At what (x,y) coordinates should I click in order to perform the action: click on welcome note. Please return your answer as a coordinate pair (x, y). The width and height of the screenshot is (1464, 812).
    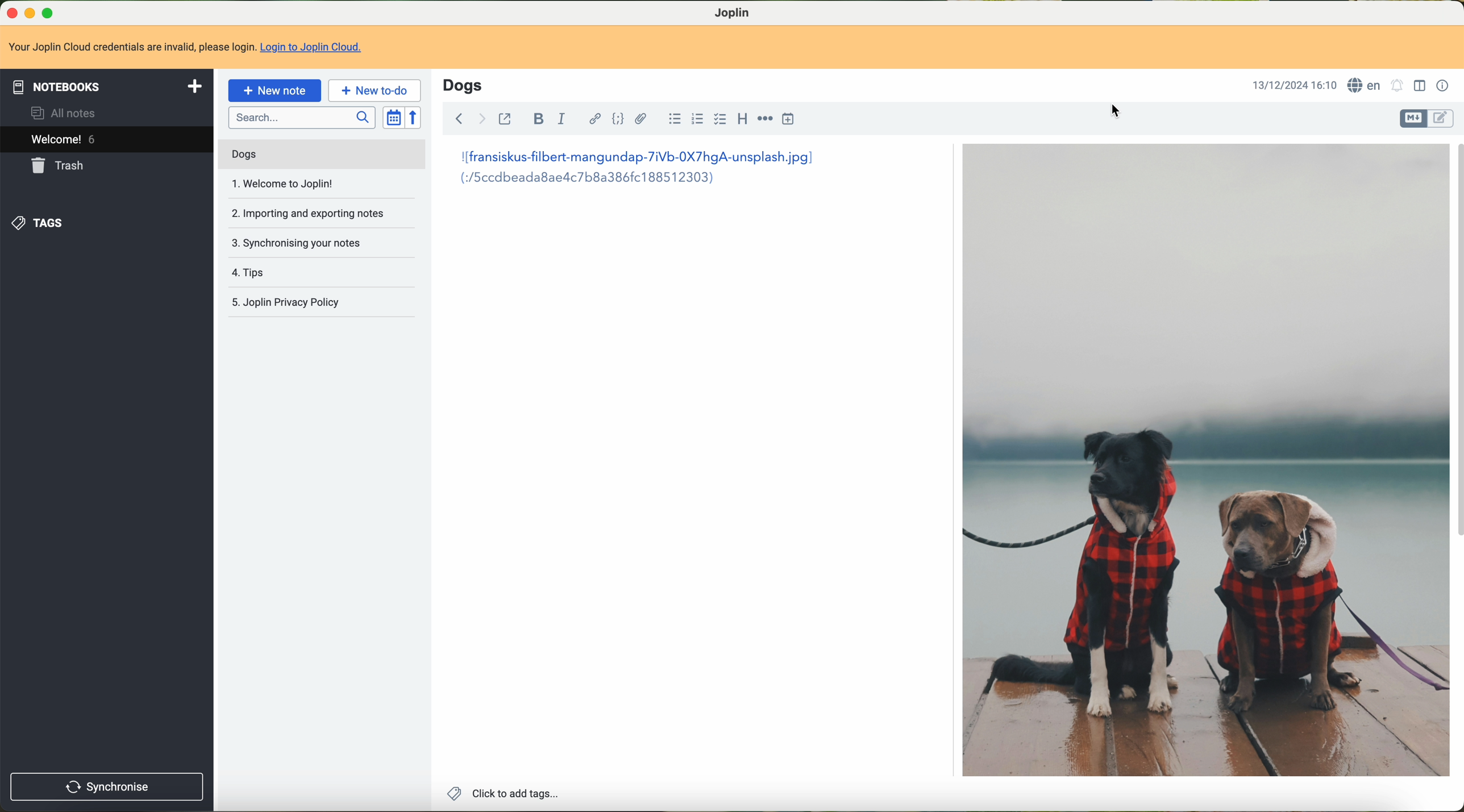
    Looking at the image, I should click on (282, 185).